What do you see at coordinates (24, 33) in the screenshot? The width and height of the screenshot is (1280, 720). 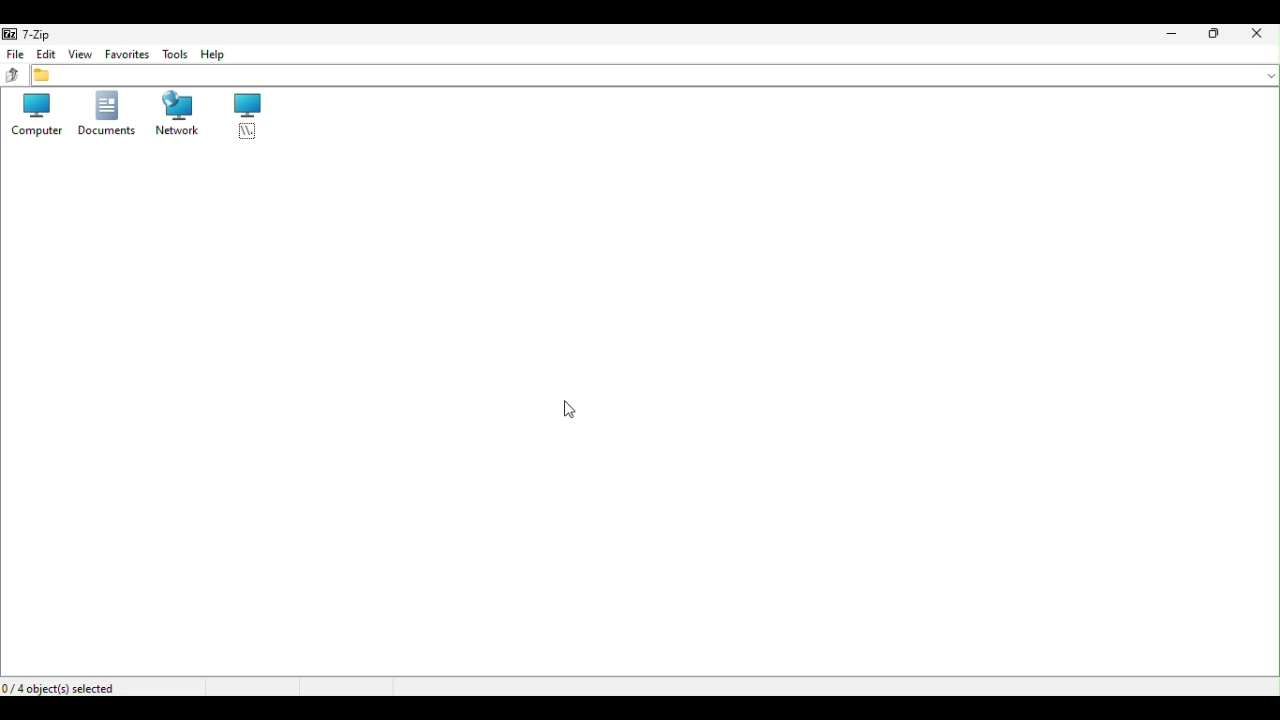 I see `7 zip` at bounding box center [24, 33].